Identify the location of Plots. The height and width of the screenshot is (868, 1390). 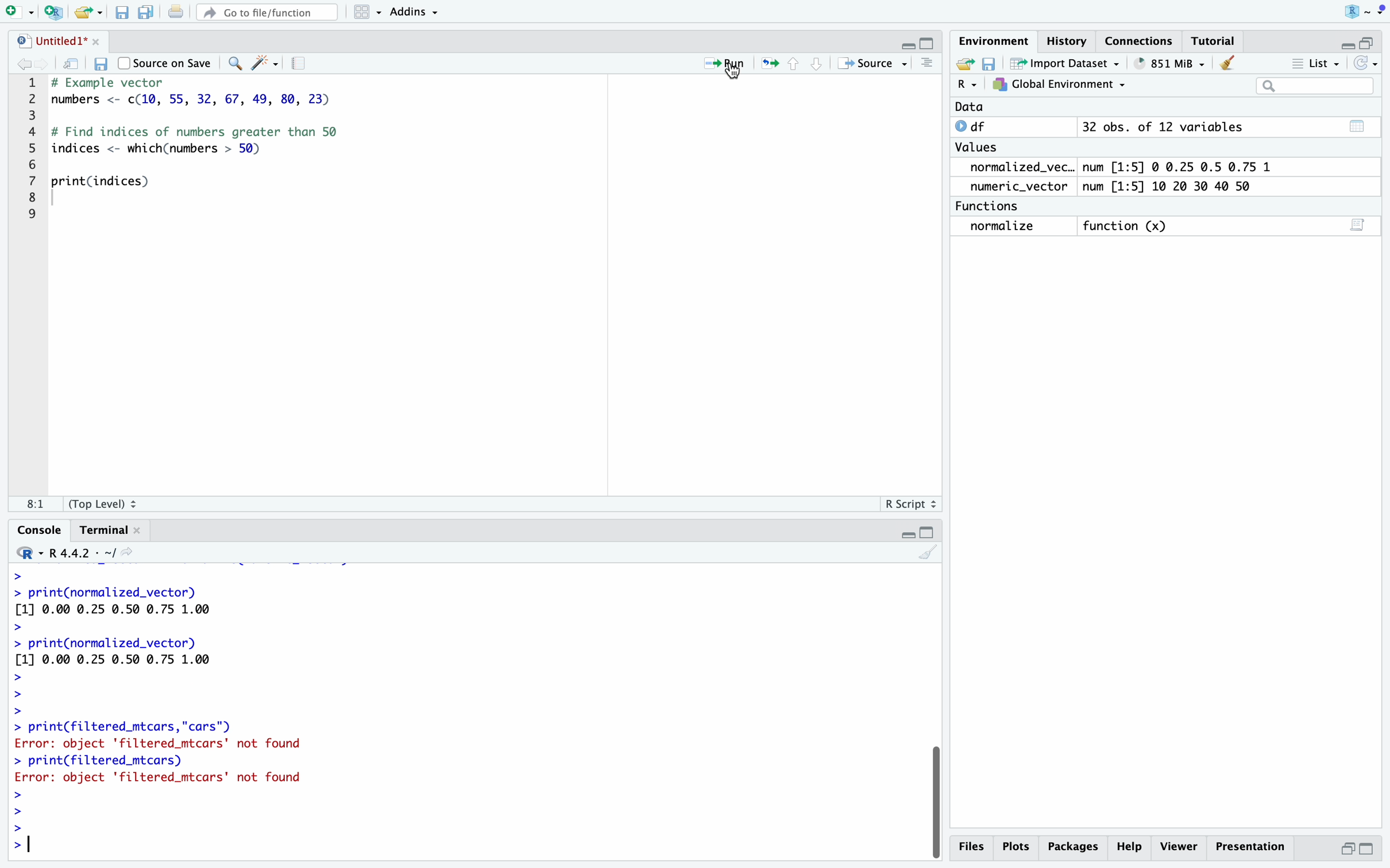
(1020, 846).